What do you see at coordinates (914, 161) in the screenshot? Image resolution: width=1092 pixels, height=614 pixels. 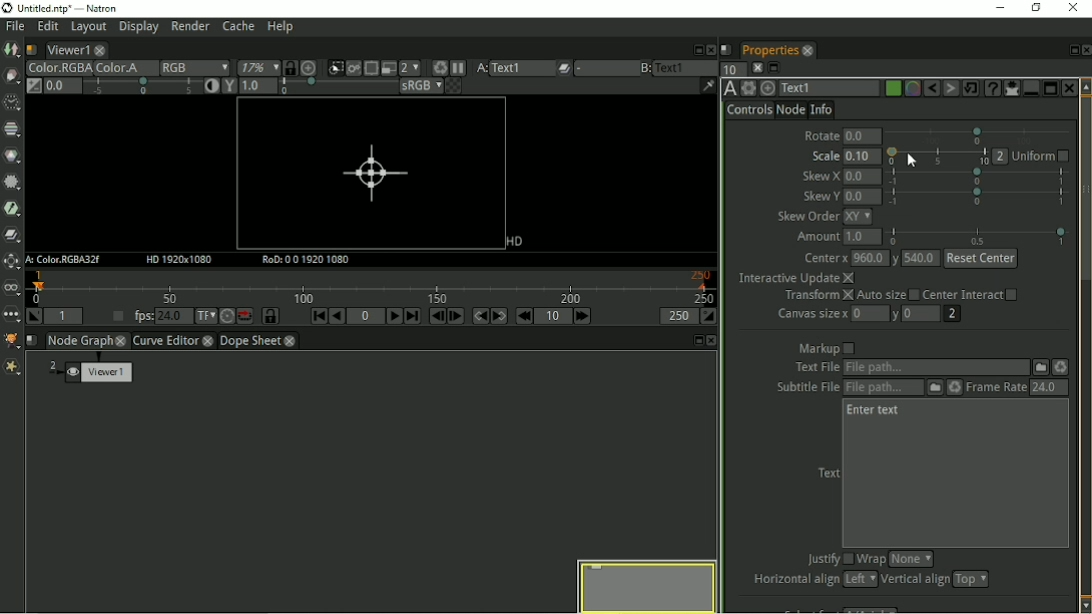 I see `Cursor` at bounding box center [914, 161].